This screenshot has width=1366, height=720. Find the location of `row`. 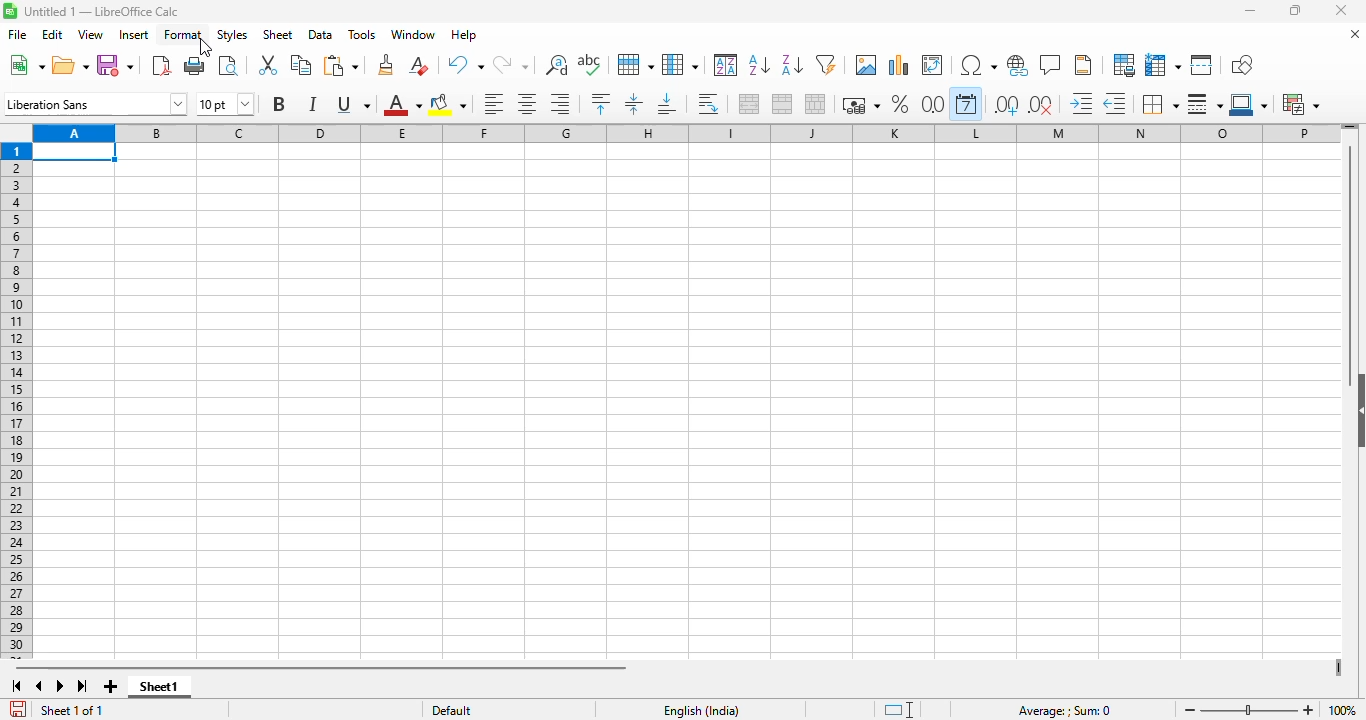

row is located at coordinates (636, 65).